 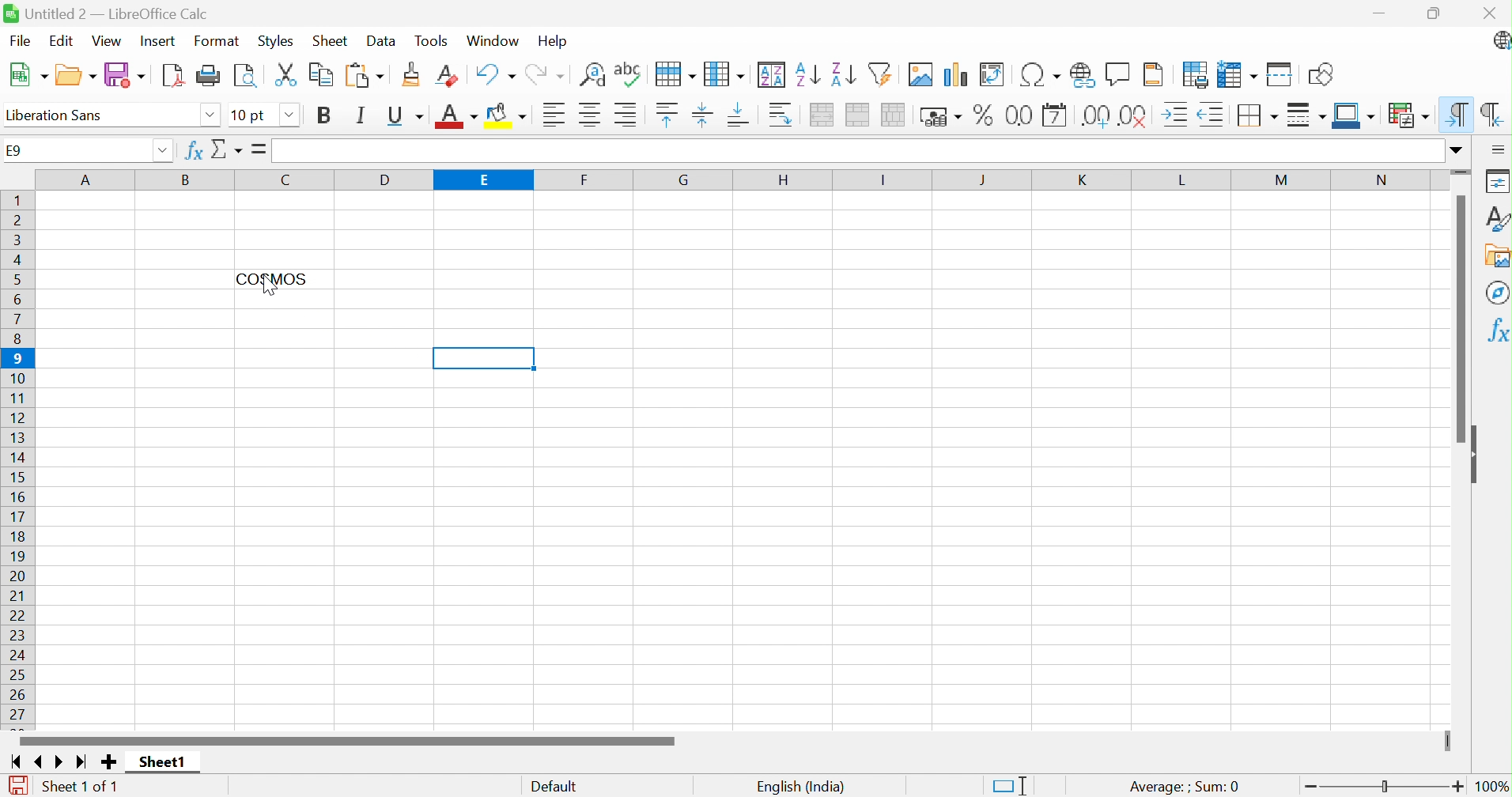 What do you see at coordinates (920, 74) in the screenshot?
I see `Insert image` at bounding box center [920, 74].